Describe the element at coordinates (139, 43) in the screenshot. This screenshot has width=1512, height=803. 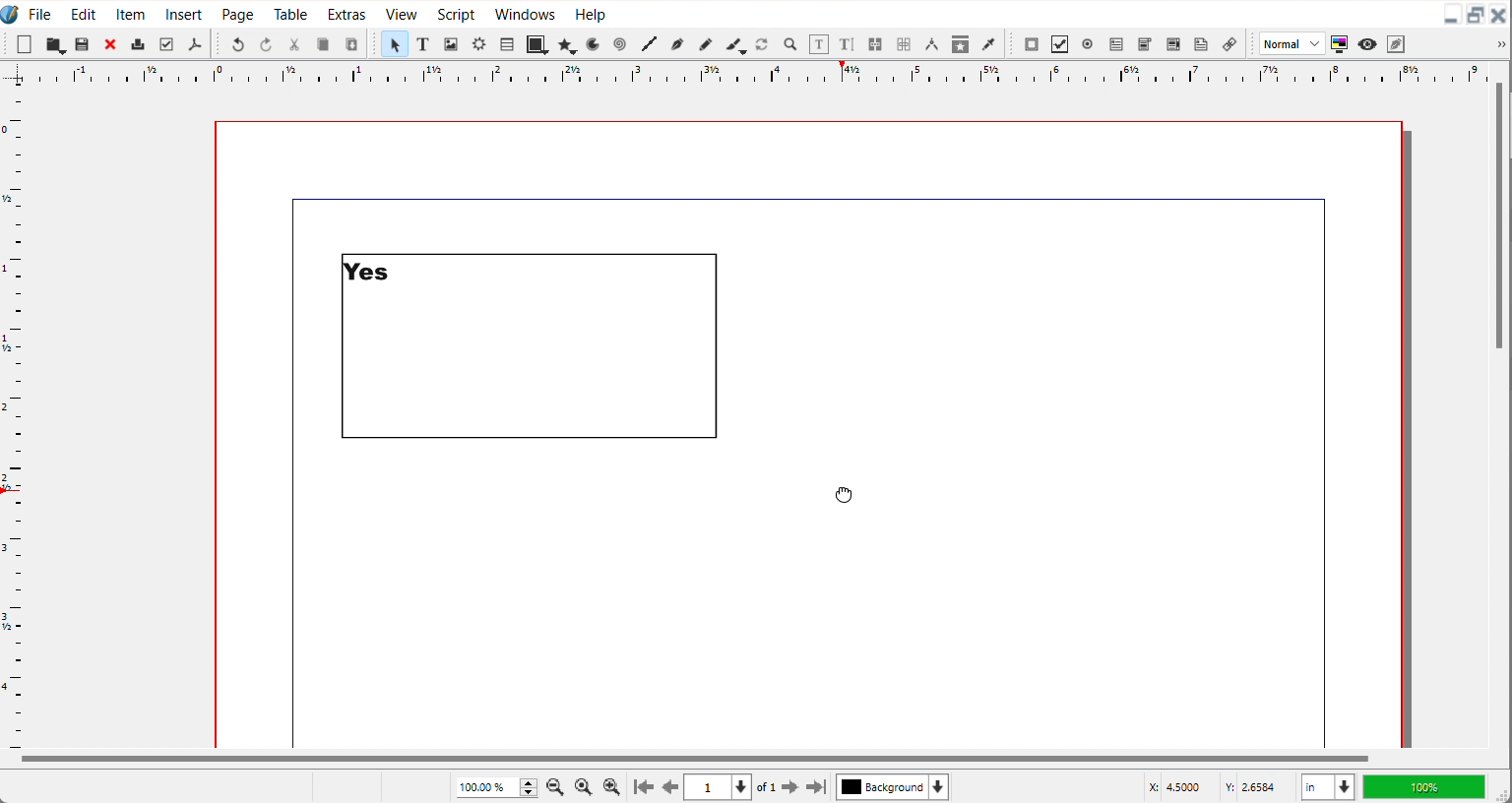
I see `Print` at that location.